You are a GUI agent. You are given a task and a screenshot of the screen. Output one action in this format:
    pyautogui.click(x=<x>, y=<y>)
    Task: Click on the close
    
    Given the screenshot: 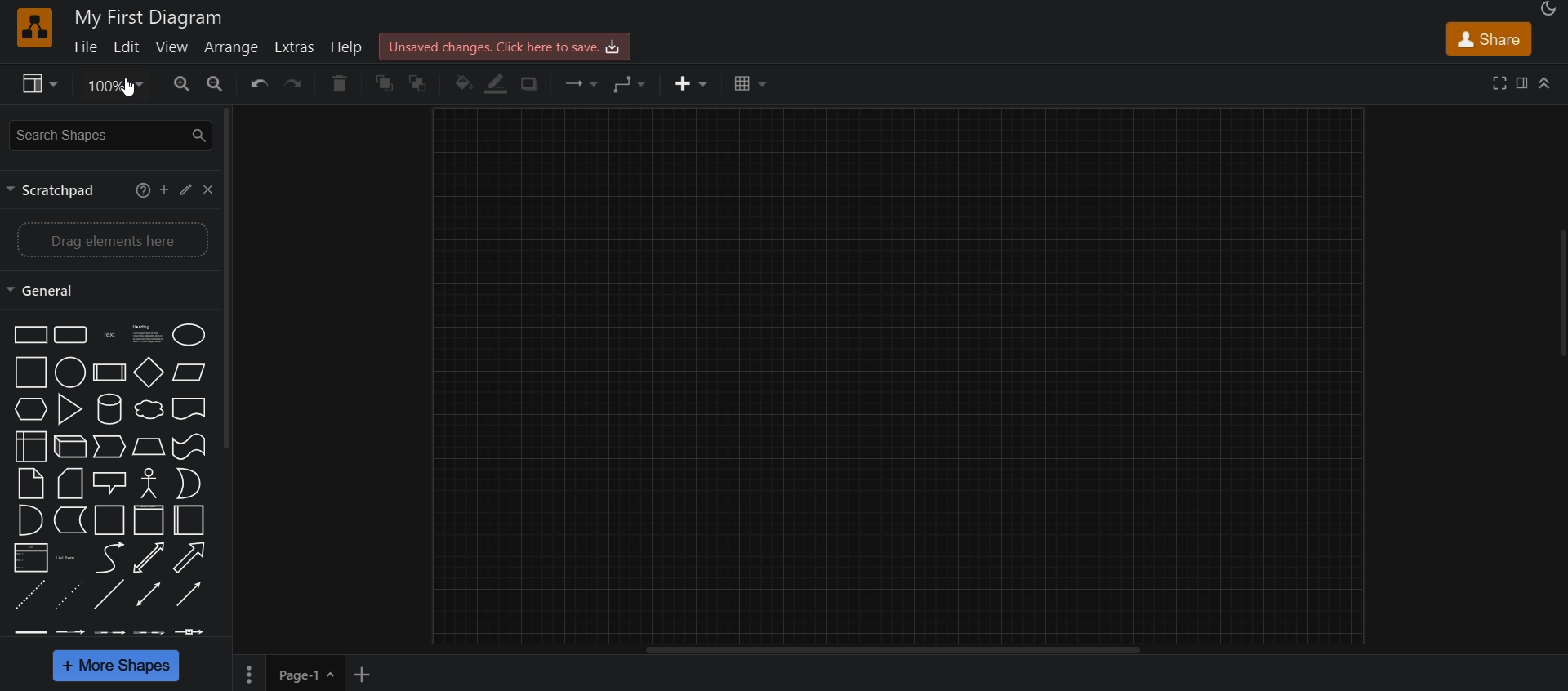 What is the action you would take?
    pyautogui.click(x=210, y=189)
    